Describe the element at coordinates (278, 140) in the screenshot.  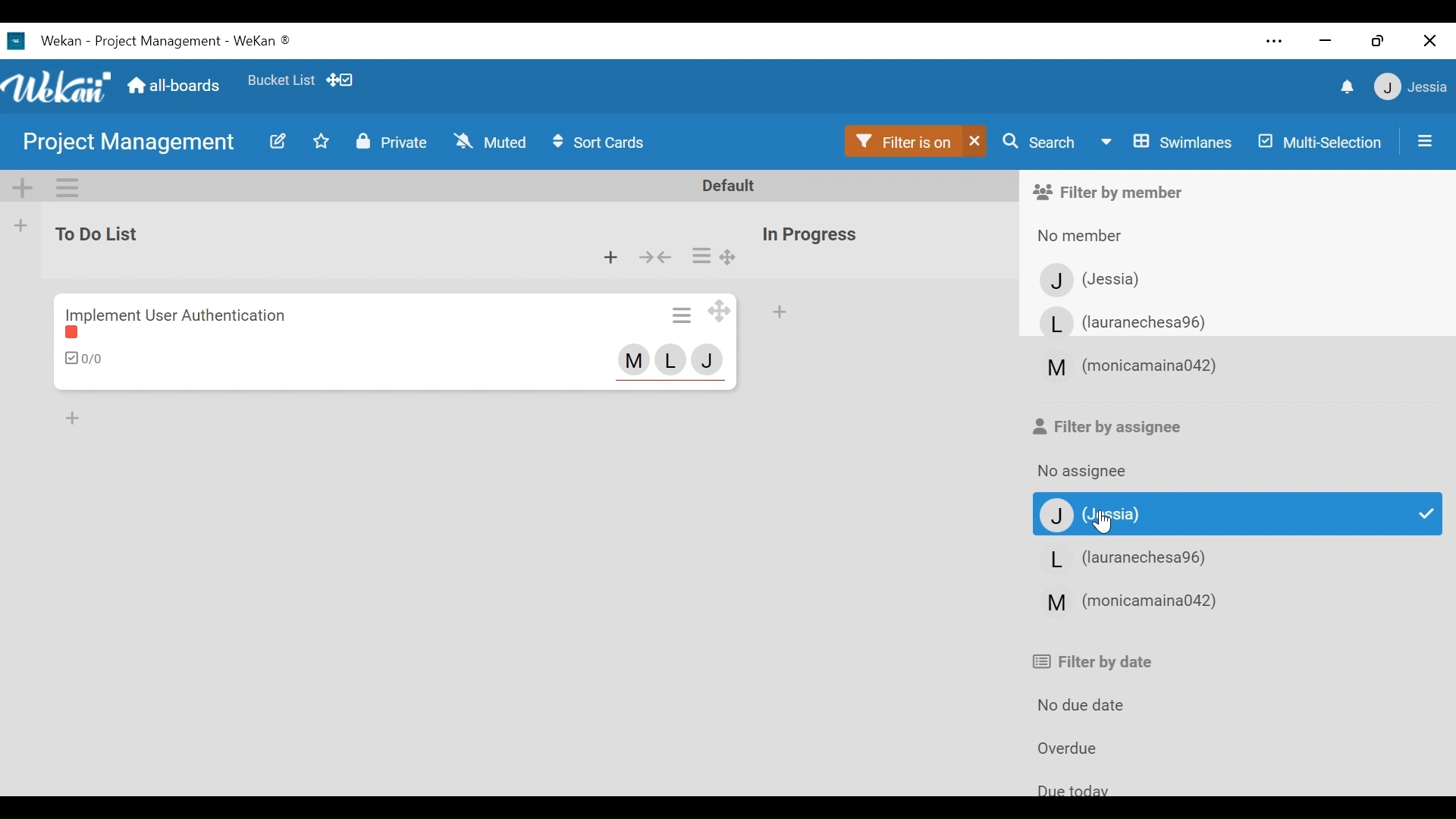
I see `Edit` at that location.